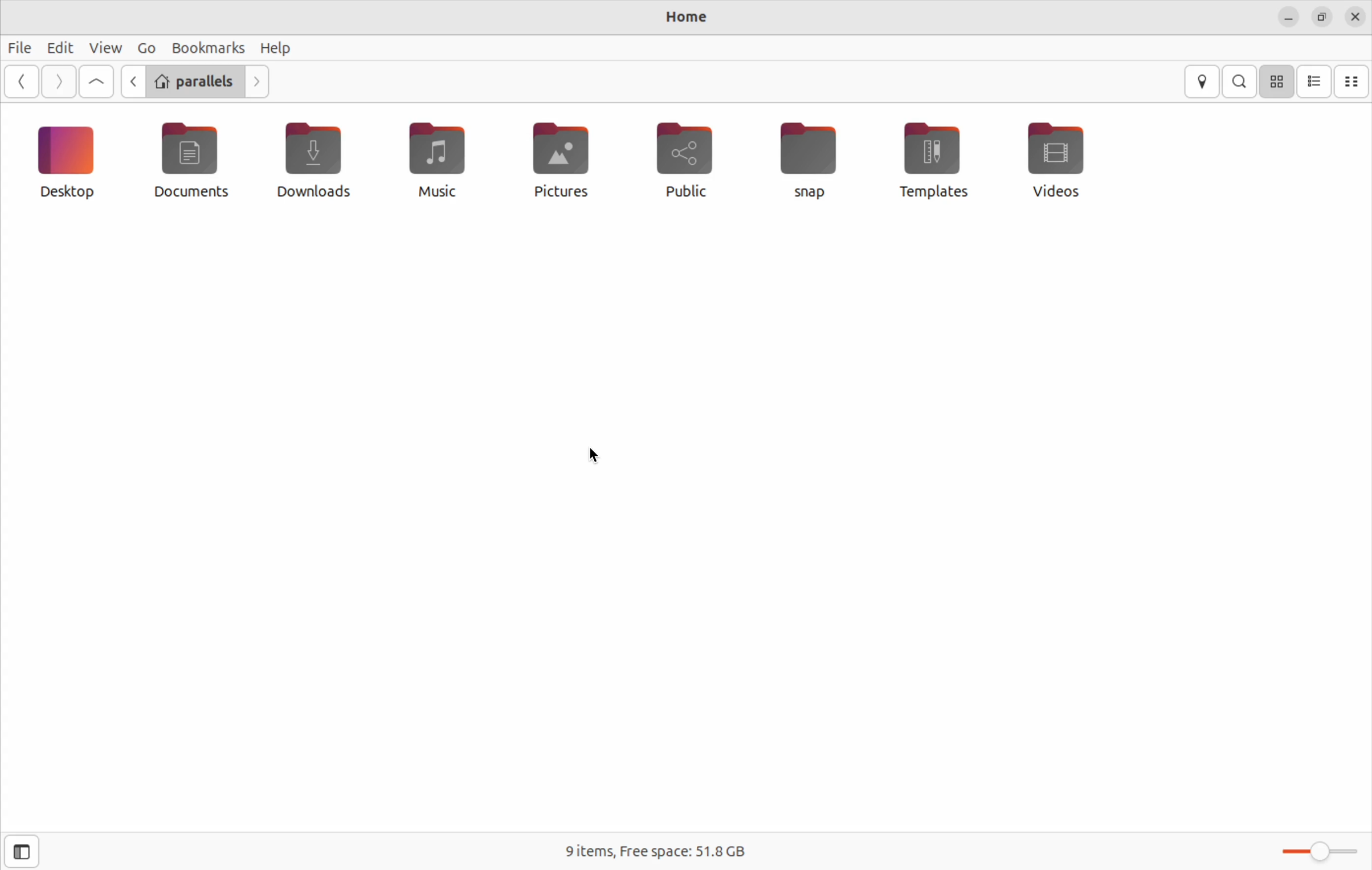 This screenshot has width=1372, height=870. I want to click on list view, so click(1314, 82).